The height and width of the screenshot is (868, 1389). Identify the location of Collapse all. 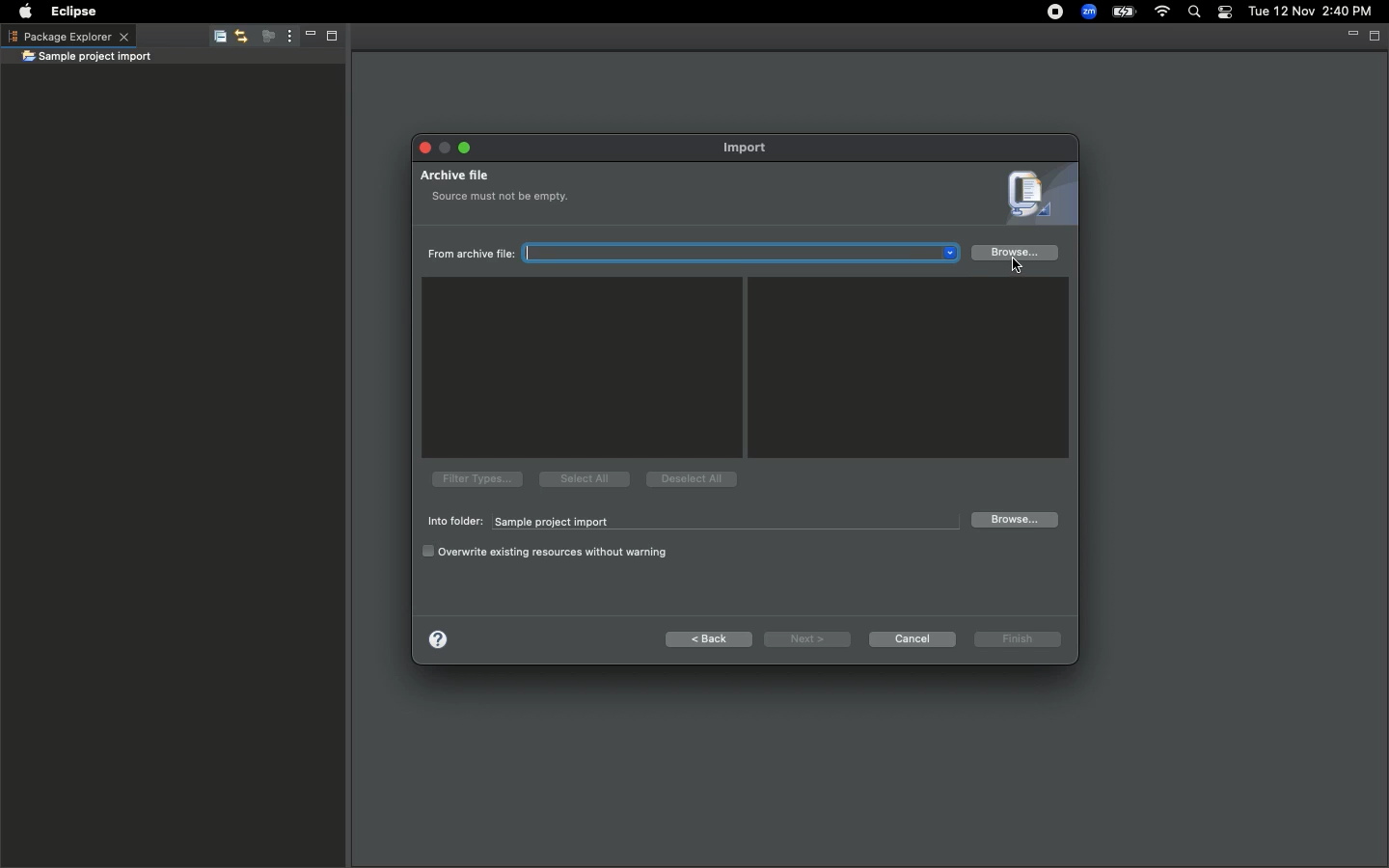
(216, 40).